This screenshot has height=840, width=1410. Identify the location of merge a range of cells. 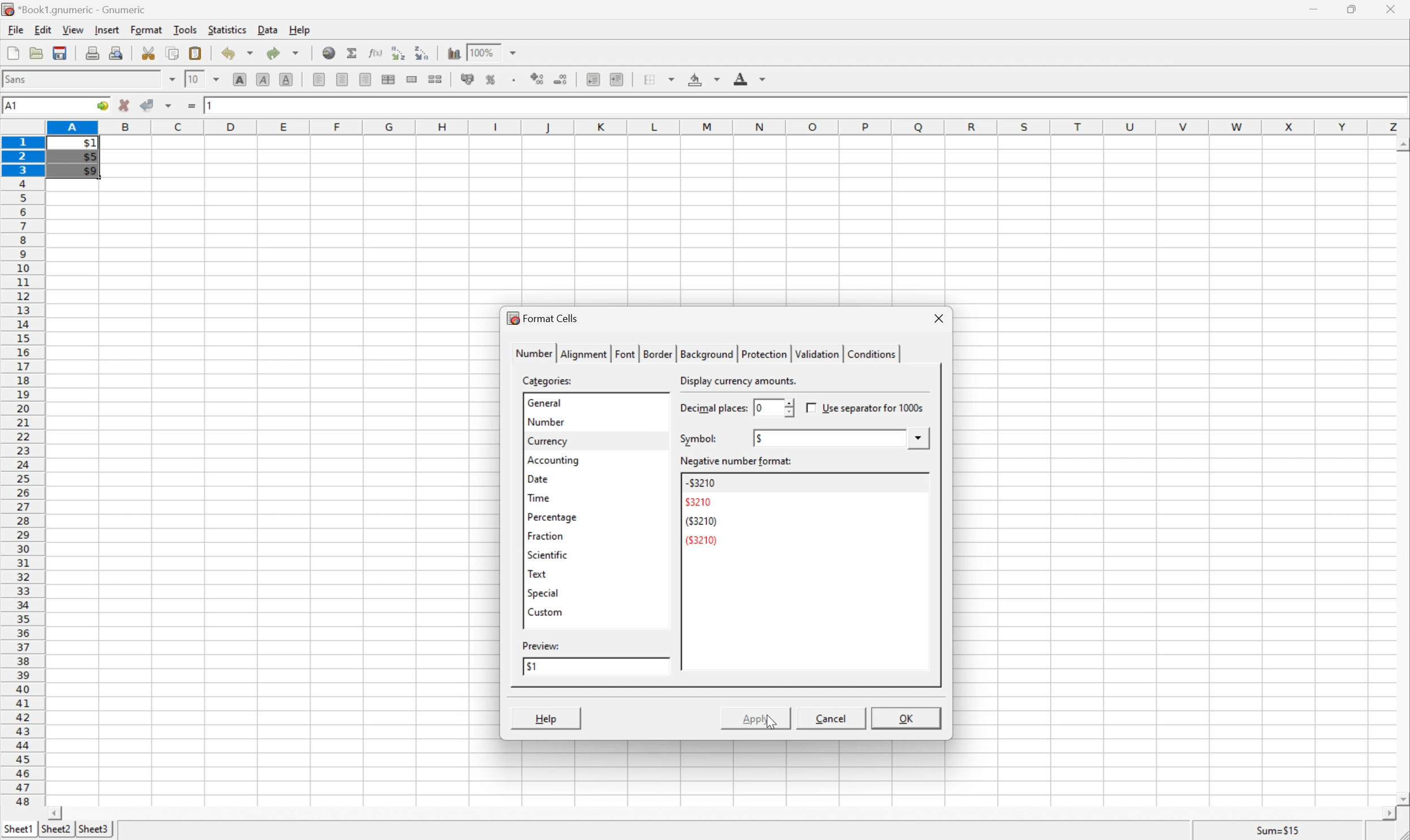
(415, 79).